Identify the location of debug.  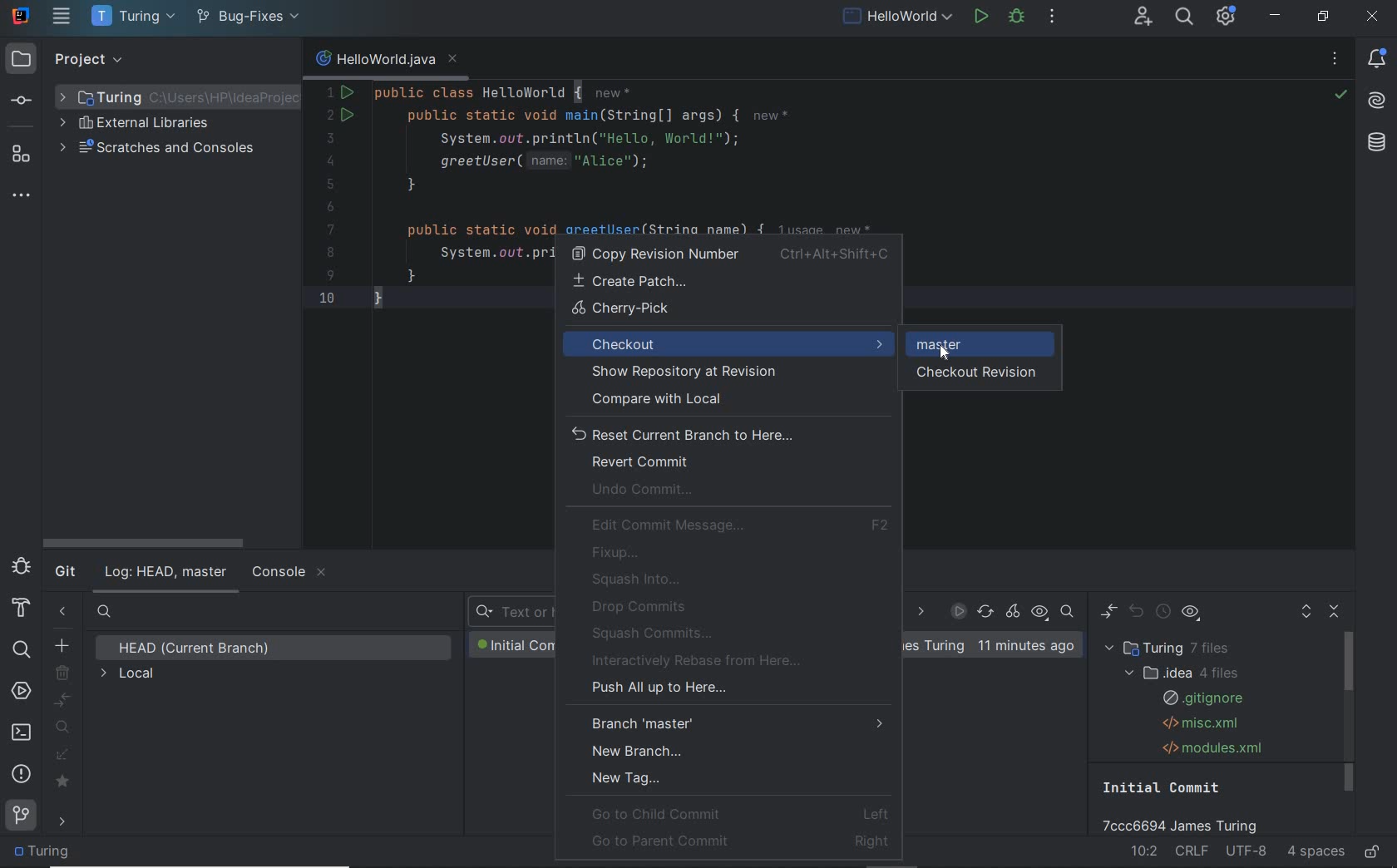
(21, 566).